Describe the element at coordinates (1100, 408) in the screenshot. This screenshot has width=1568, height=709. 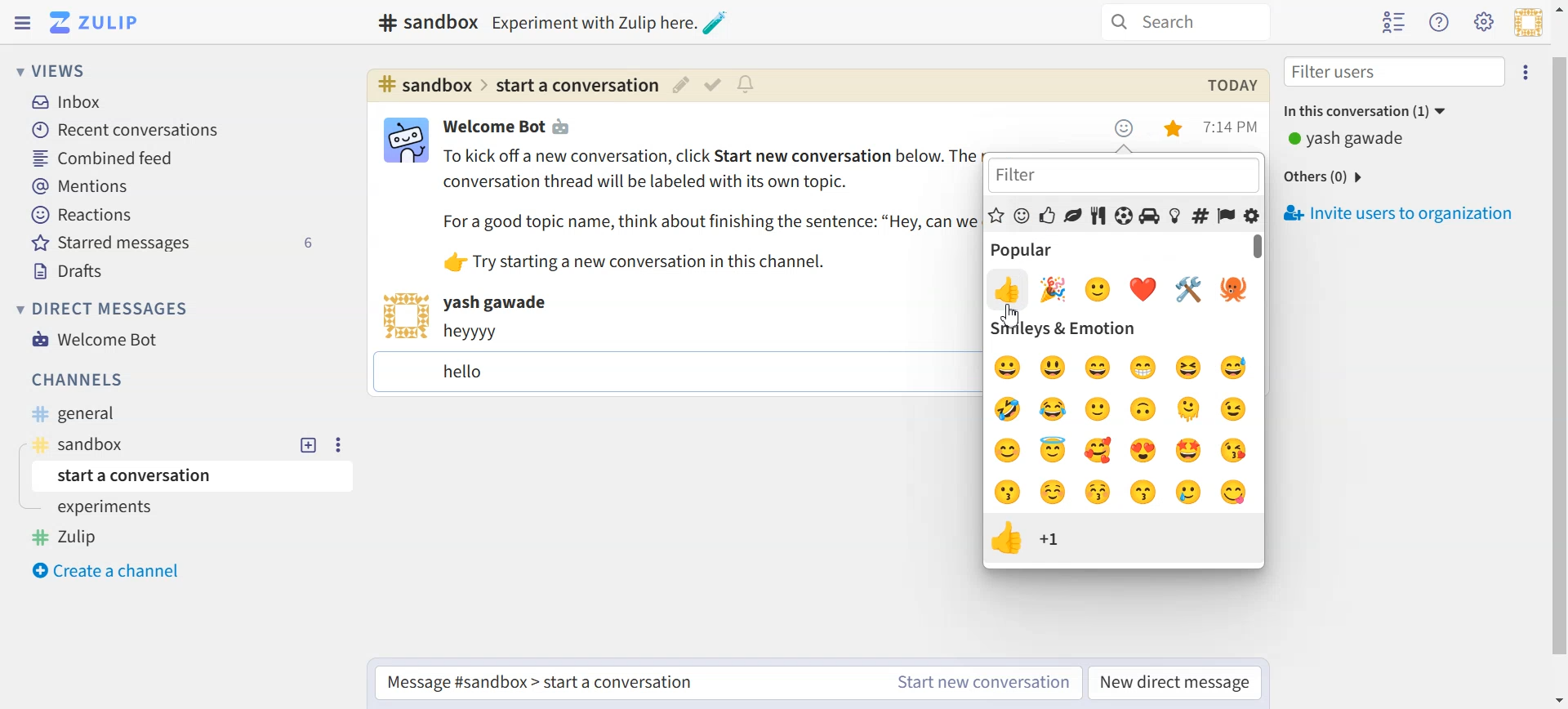
I see `smile` at that location.